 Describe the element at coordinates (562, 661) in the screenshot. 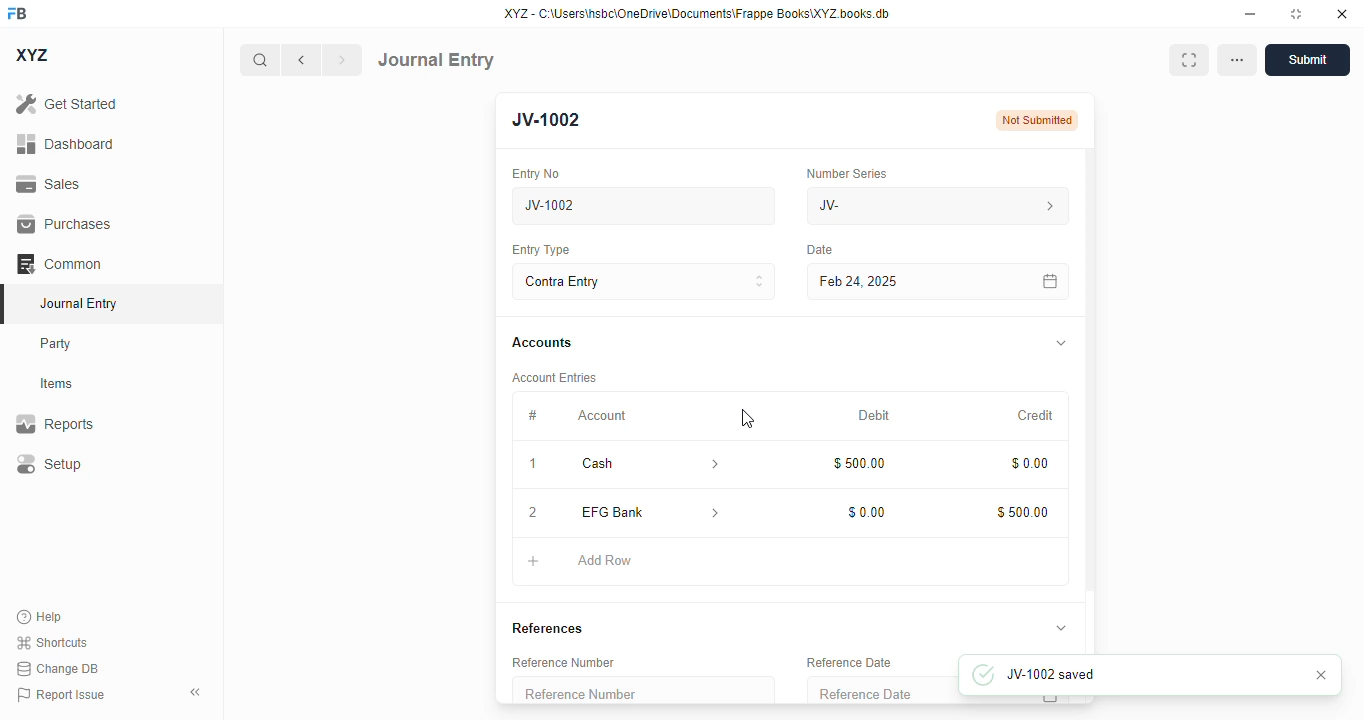

I see `reference number` at that location.